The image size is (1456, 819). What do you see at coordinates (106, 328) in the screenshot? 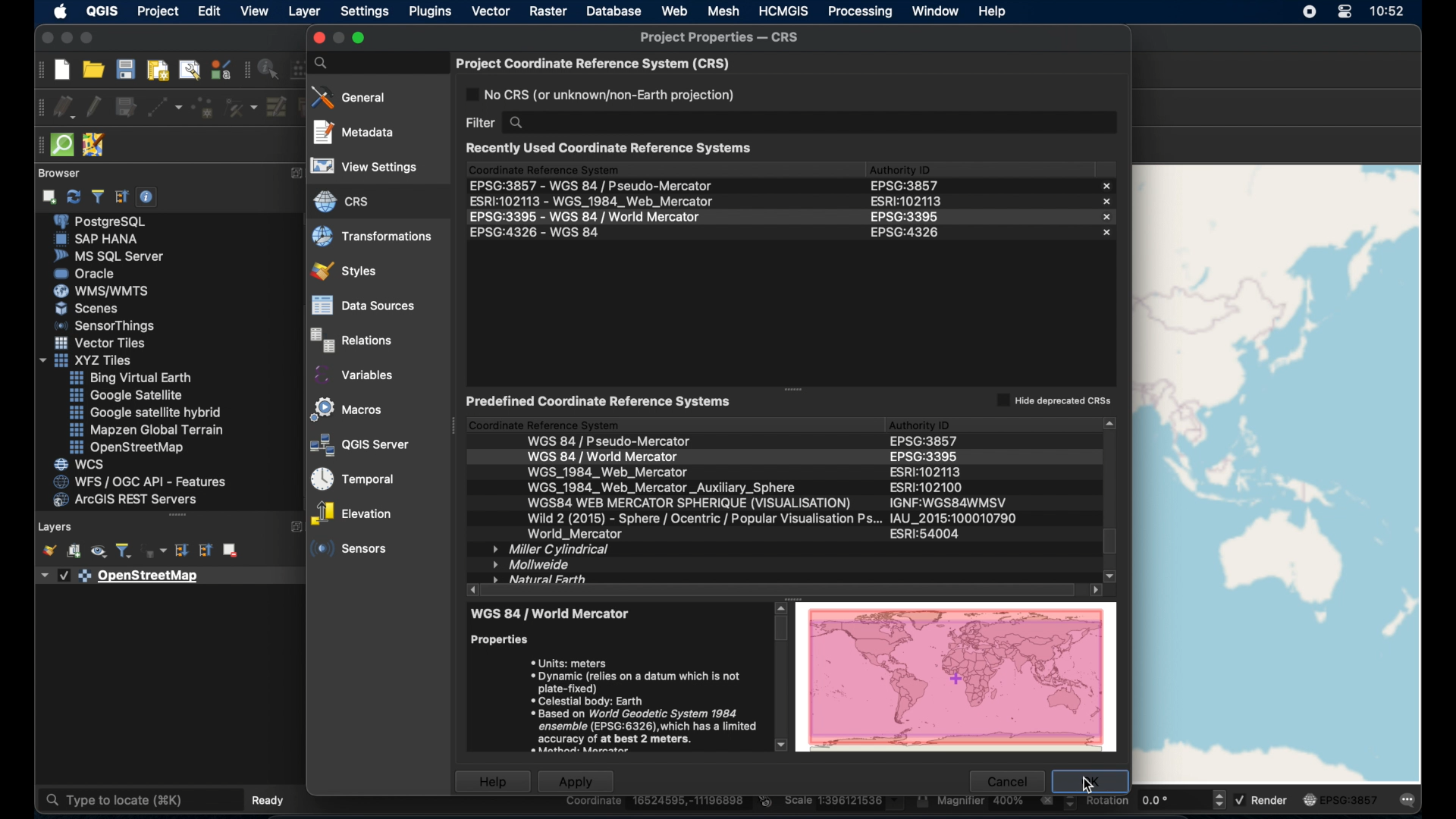
I see `sensor things` at bounding box center [106, 328].